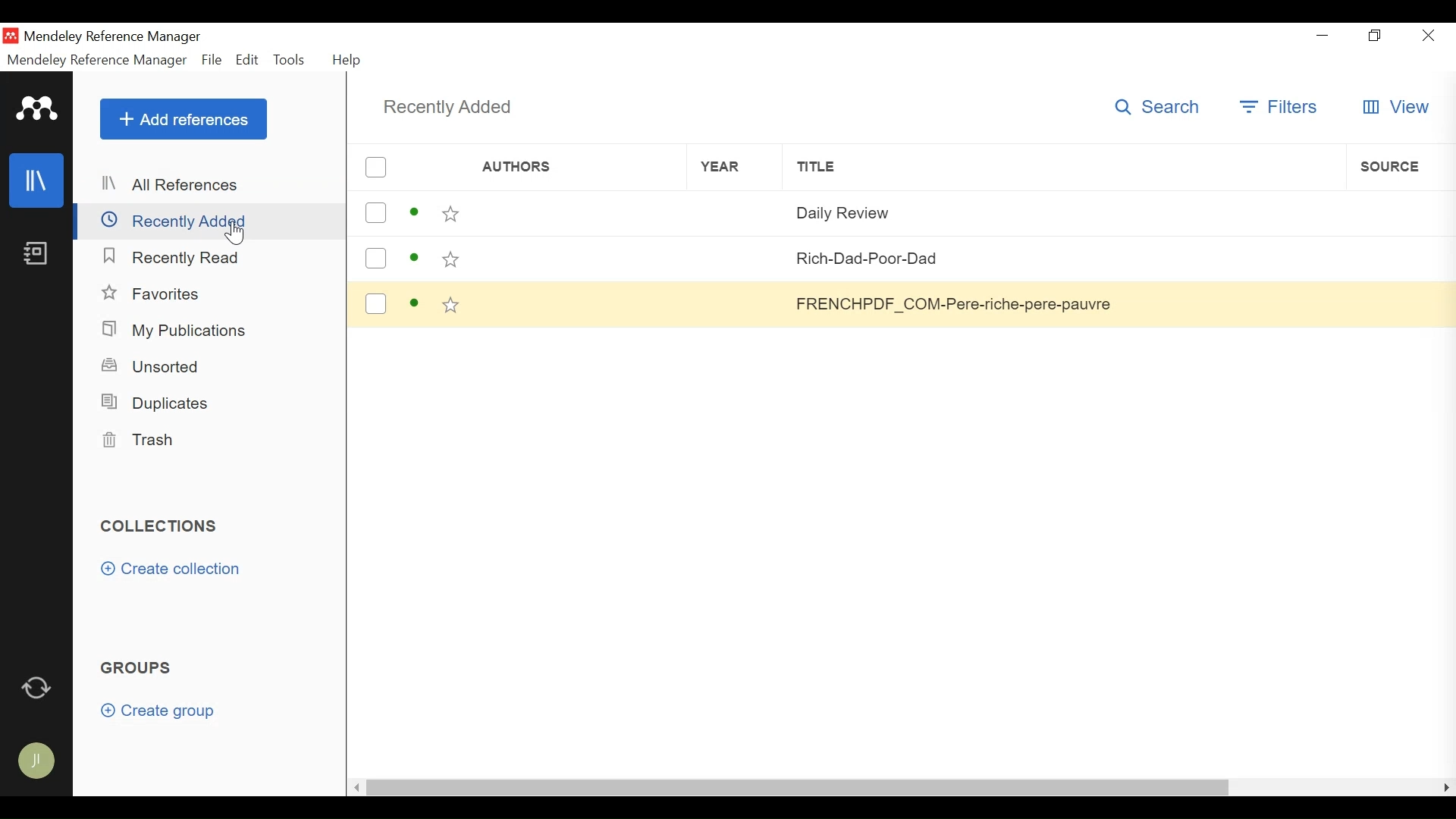  What do you see at coordinates (177, 330) in the screenshot?
I see `My Publications` at bounding box center [177, 330].